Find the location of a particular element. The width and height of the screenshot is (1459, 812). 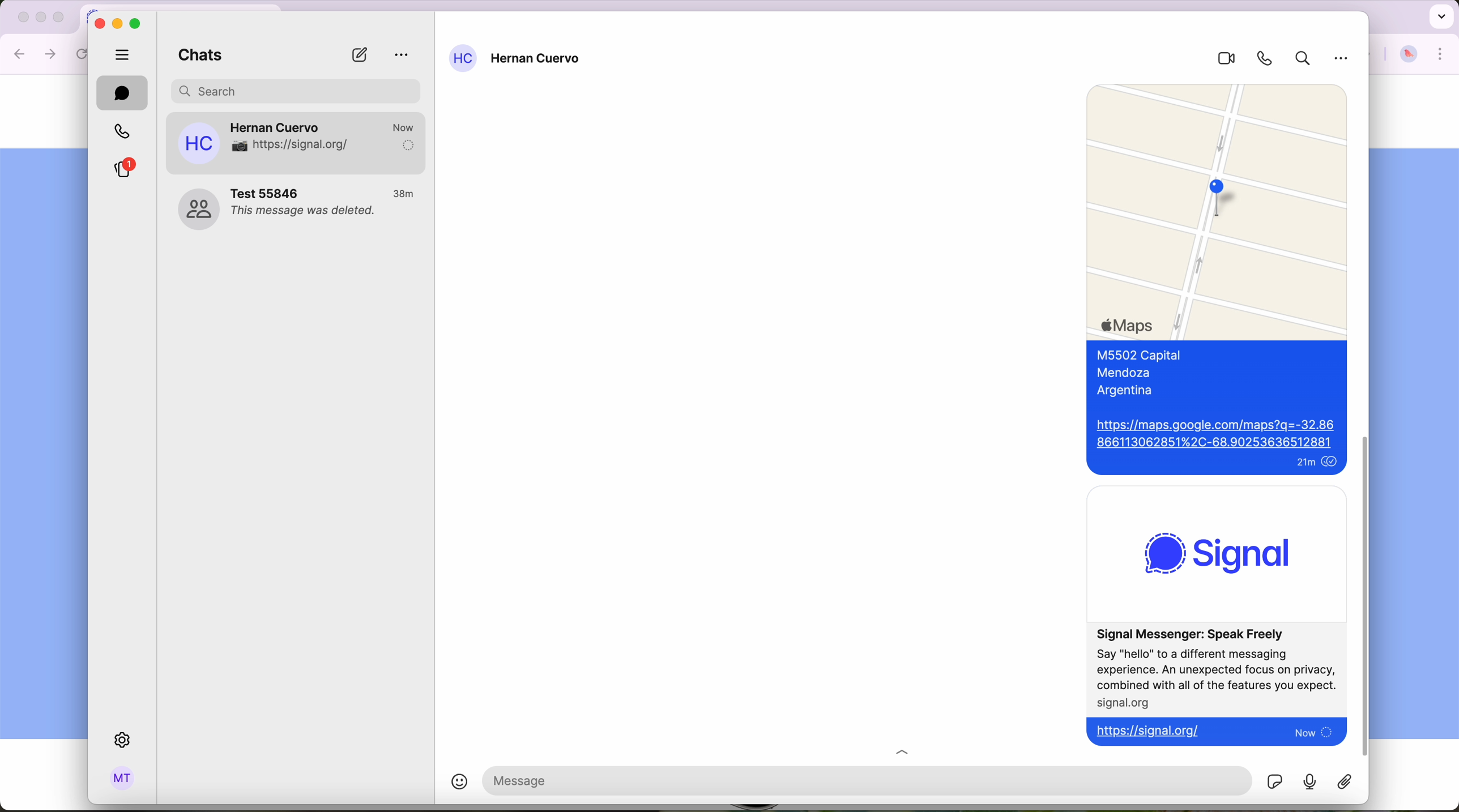

search is located at coordinates (1300, 60).